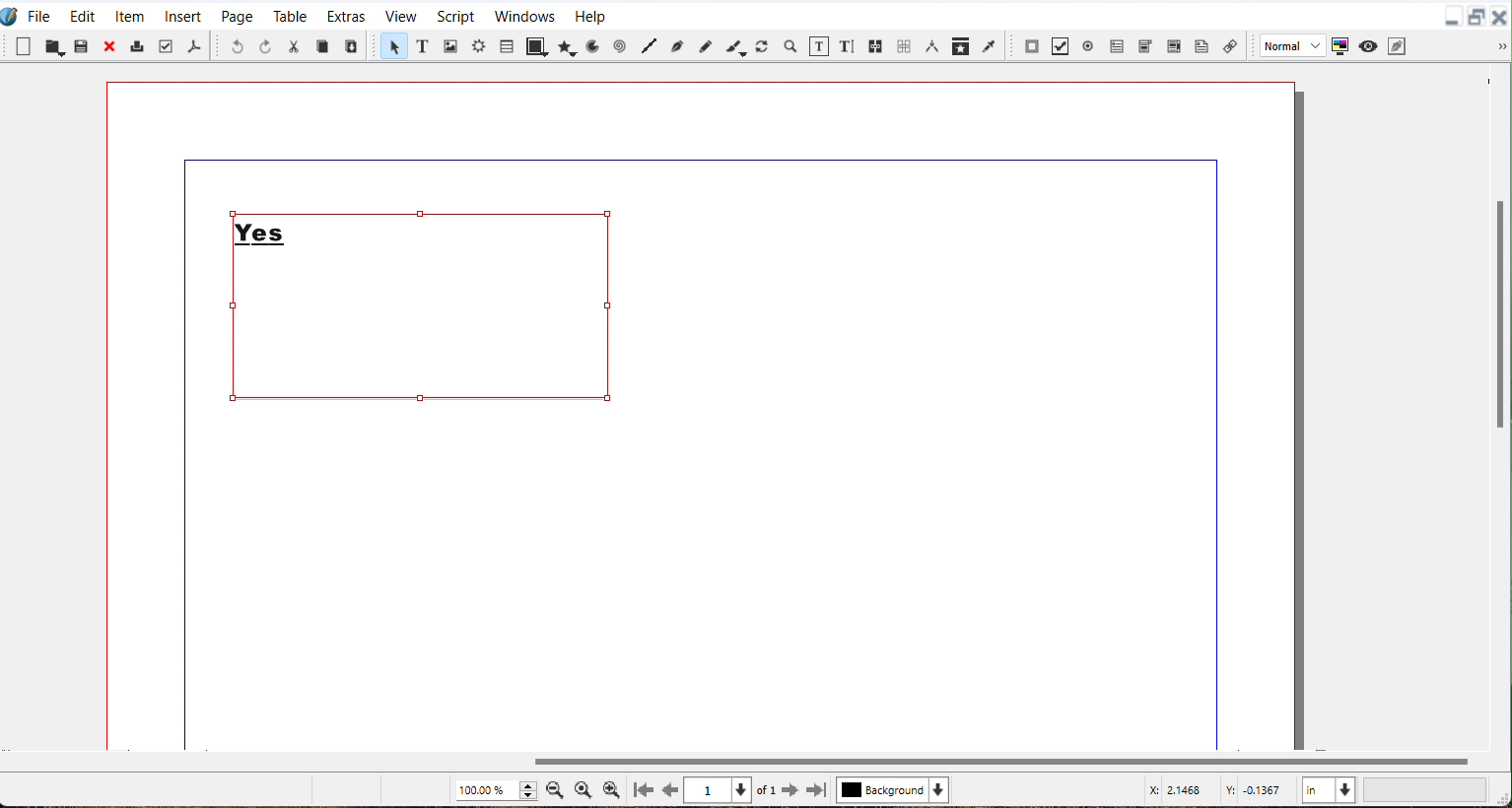  Describe the element at coordinates (849, 45) in the screenshot. I see `Edit text` at that location.